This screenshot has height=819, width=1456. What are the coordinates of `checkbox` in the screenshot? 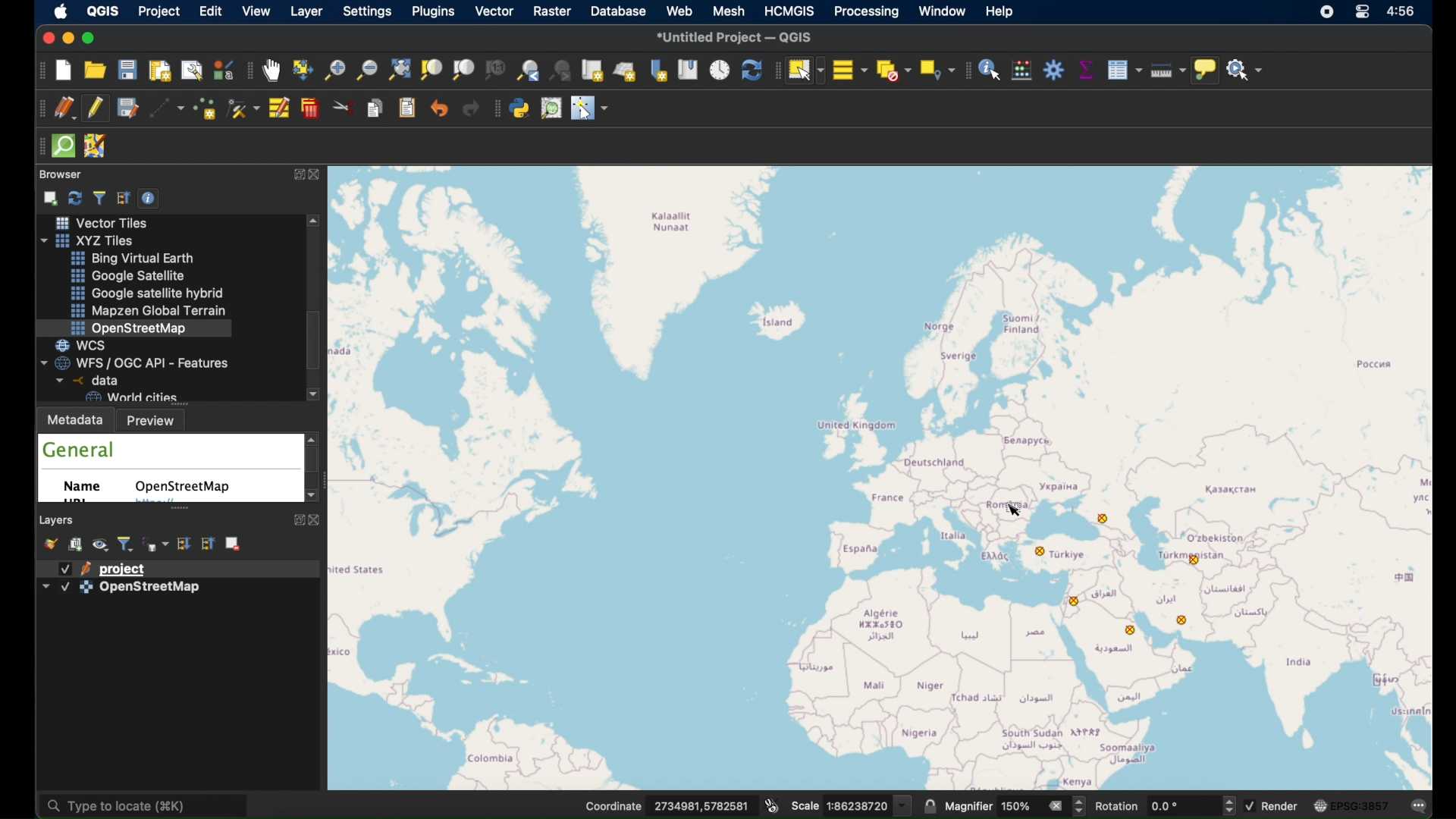 It's located at (1250, 806).